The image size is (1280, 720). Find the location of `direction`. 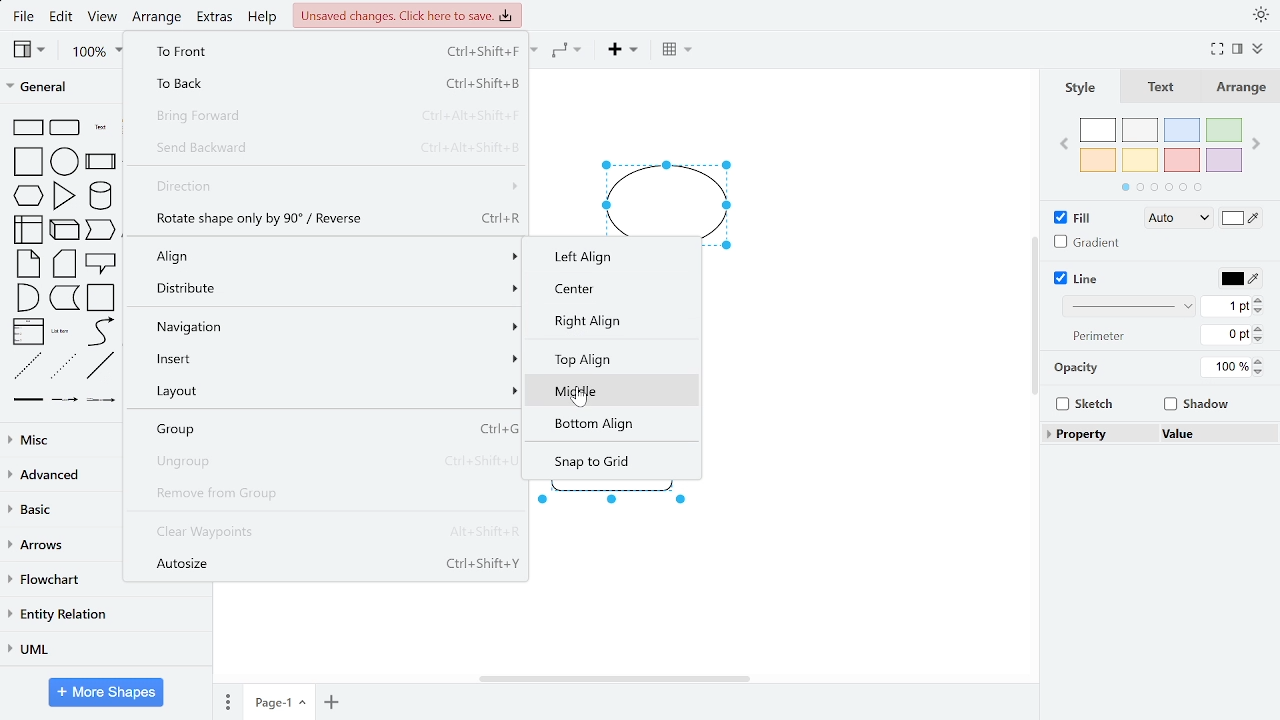

direction is located at coordinates (332, 187).